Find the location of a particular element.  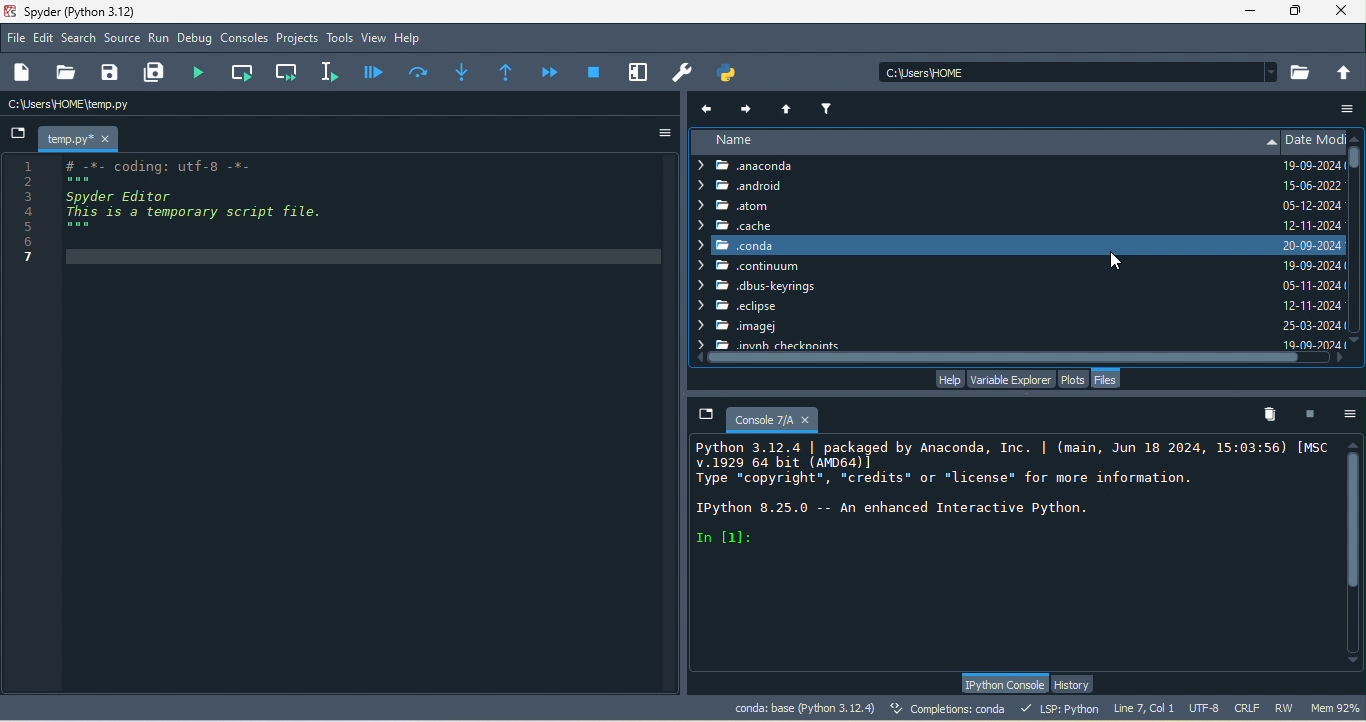

edit is located at coordinates (45, 39).